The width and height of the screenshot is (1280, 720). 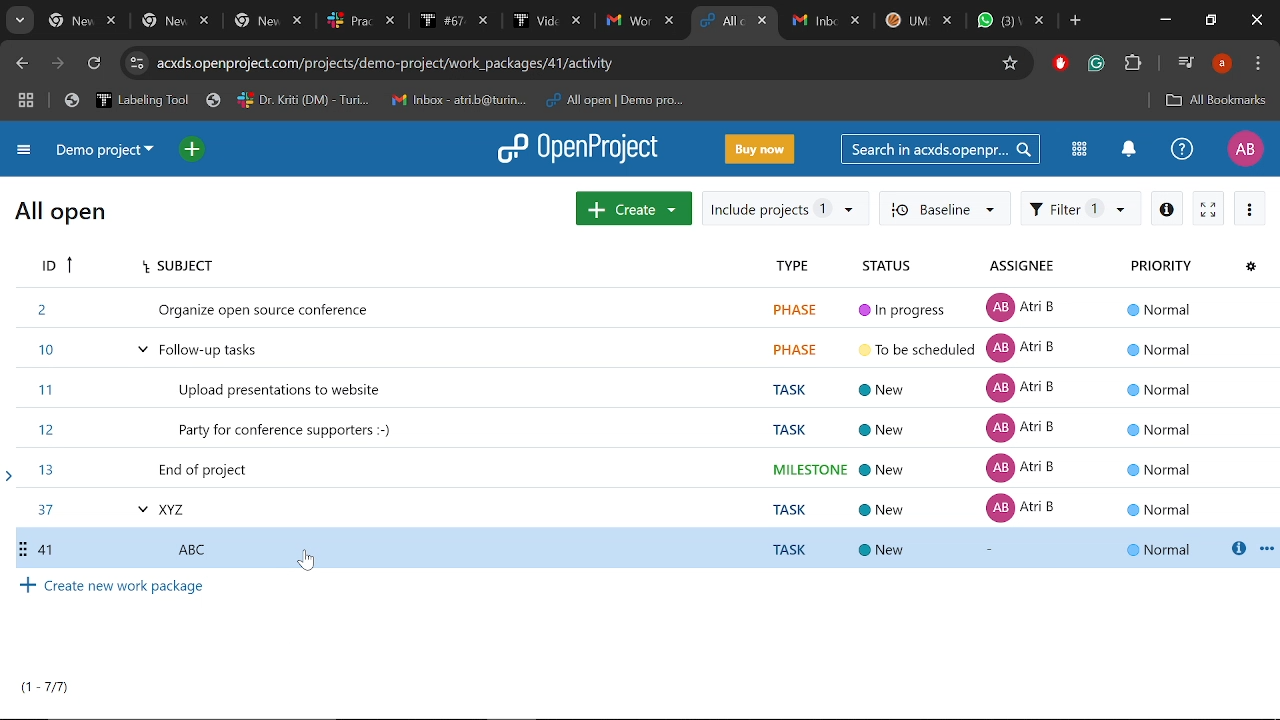 What do you see at coordinates (1061, 64) in the screenshot?
I see `Addblock` at bounding box center [1061, 64].